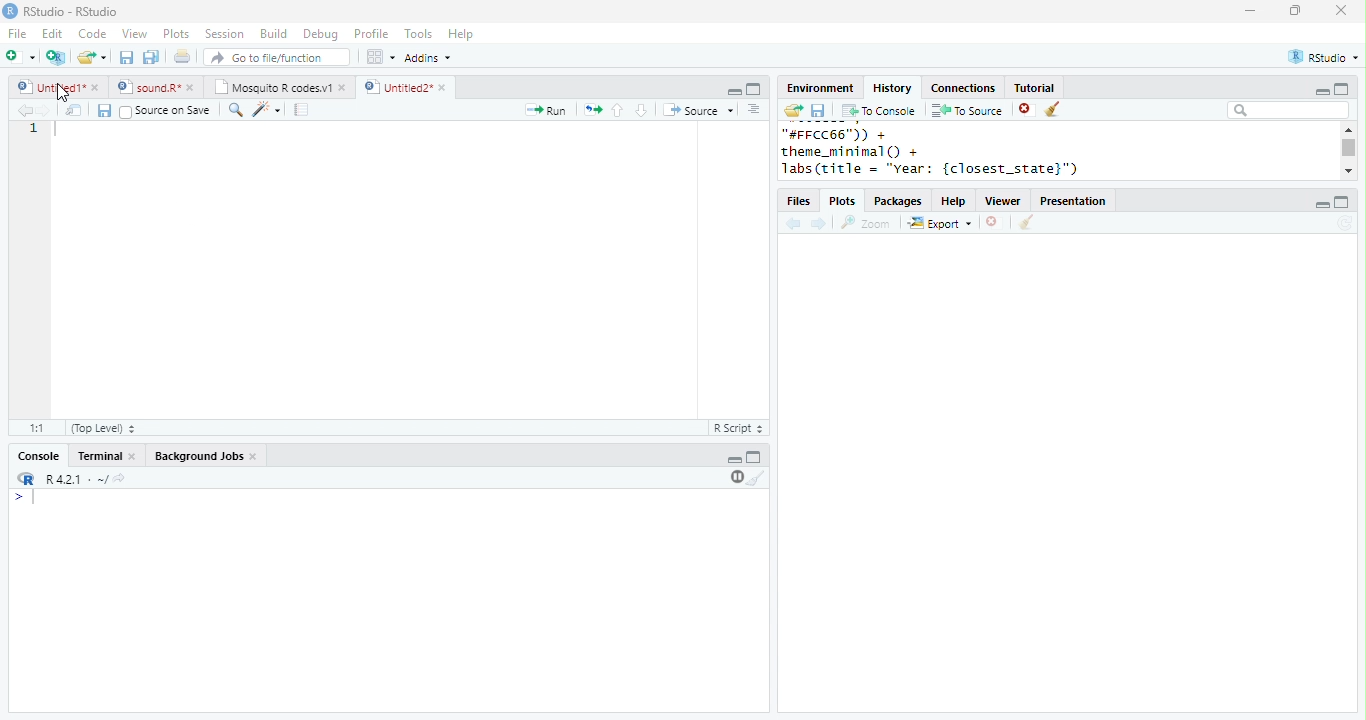 The height and width of the screenshot is (720, 1366). I want to click on Addins, so click(428, 57).